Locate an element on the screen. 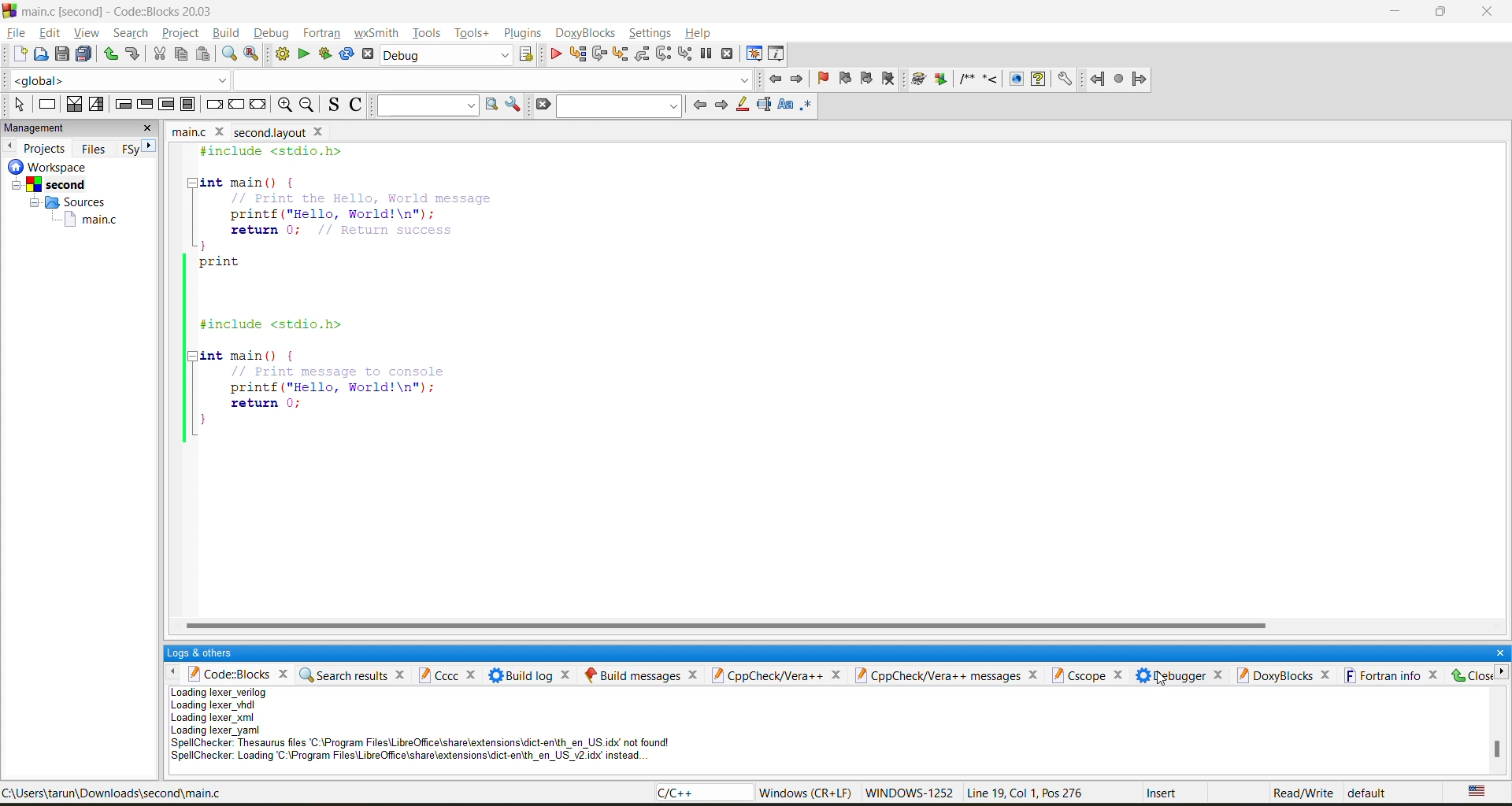 The width and height of the screenshot is (1512, 806). codeblocks is located at coordinates (241, 676).